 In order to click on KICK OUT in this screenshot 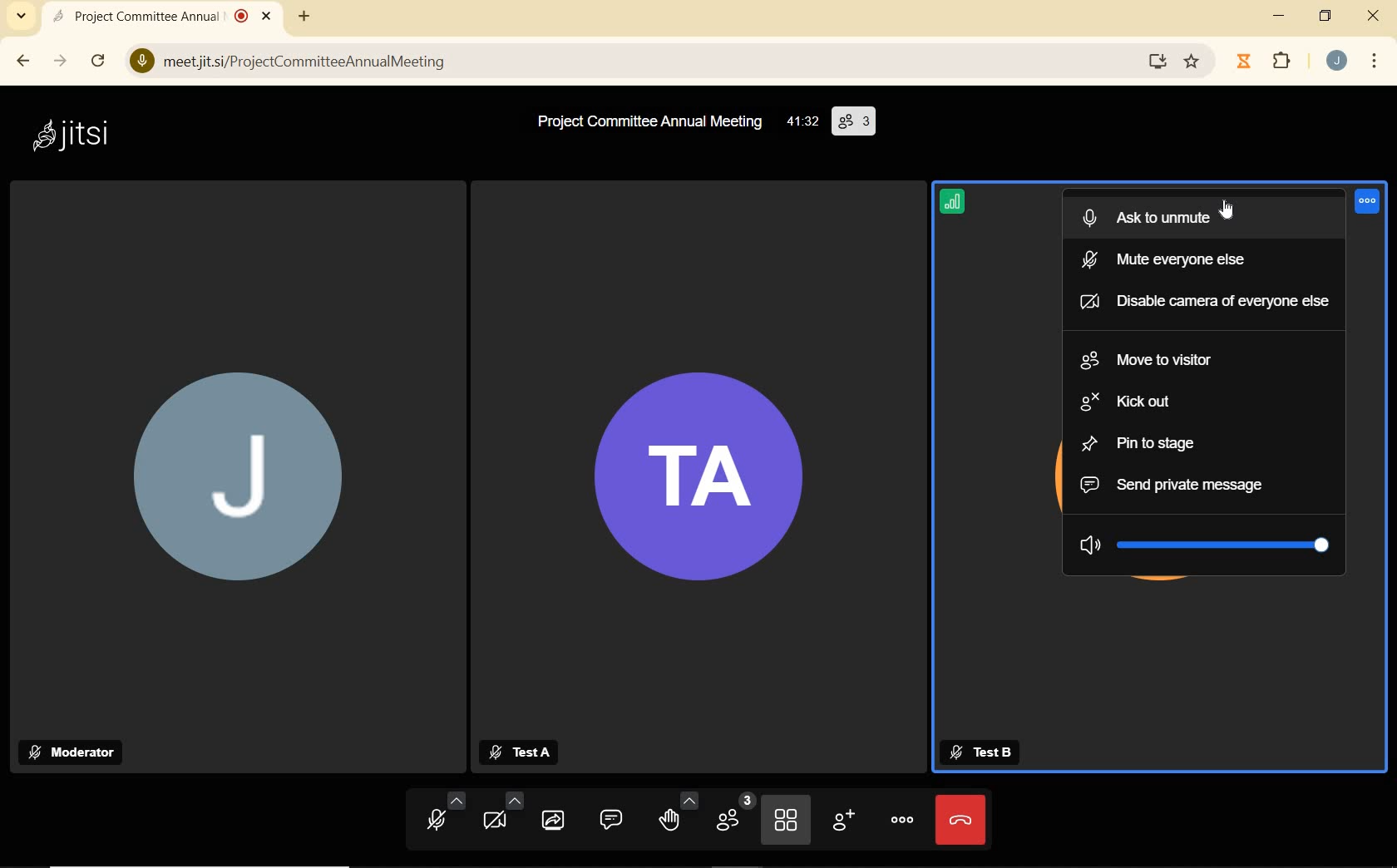, I will do `click(1208, 402)`.